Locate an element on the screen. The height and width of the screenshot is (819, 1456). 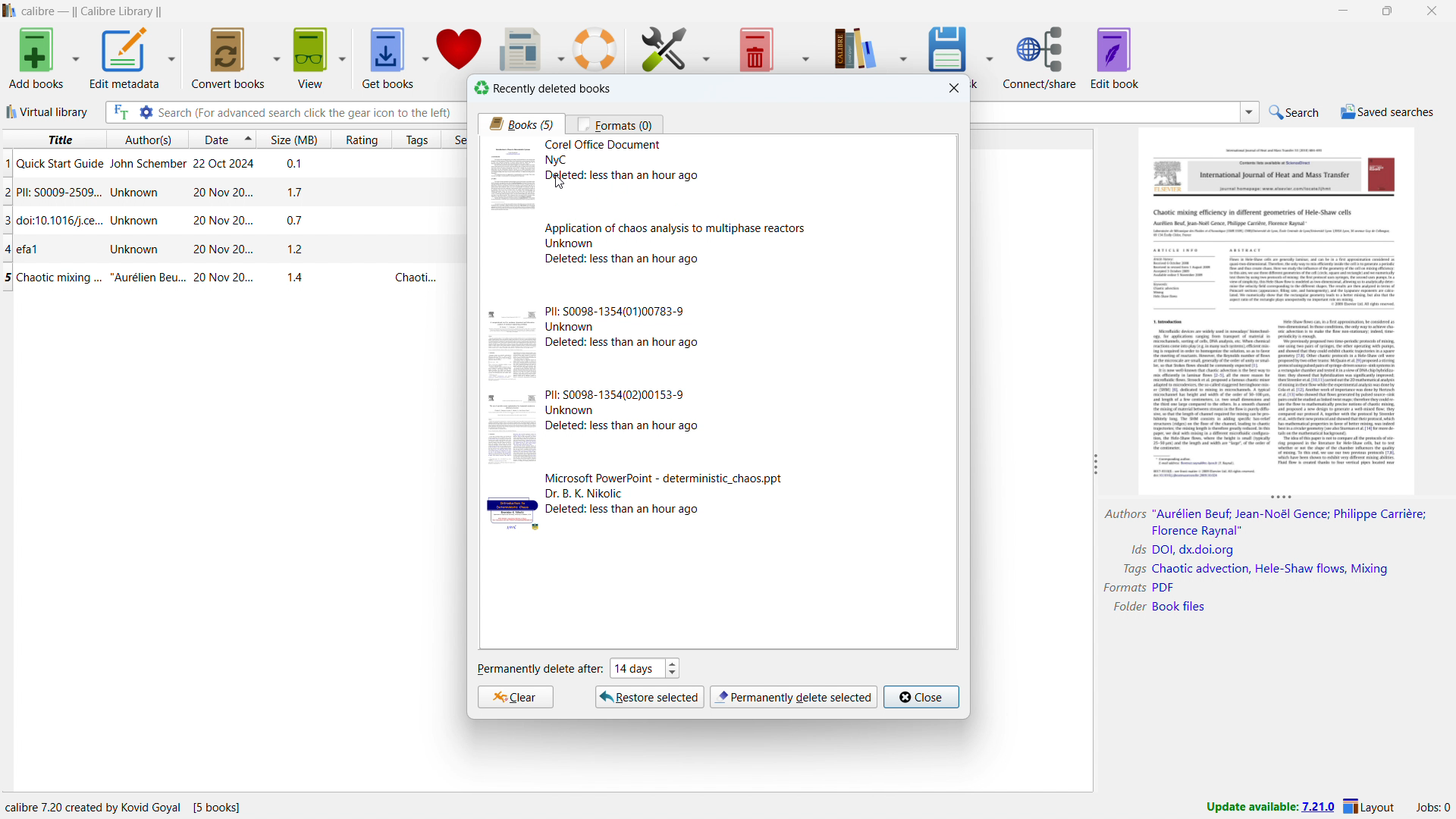
close is located at coordinates (955, 88).